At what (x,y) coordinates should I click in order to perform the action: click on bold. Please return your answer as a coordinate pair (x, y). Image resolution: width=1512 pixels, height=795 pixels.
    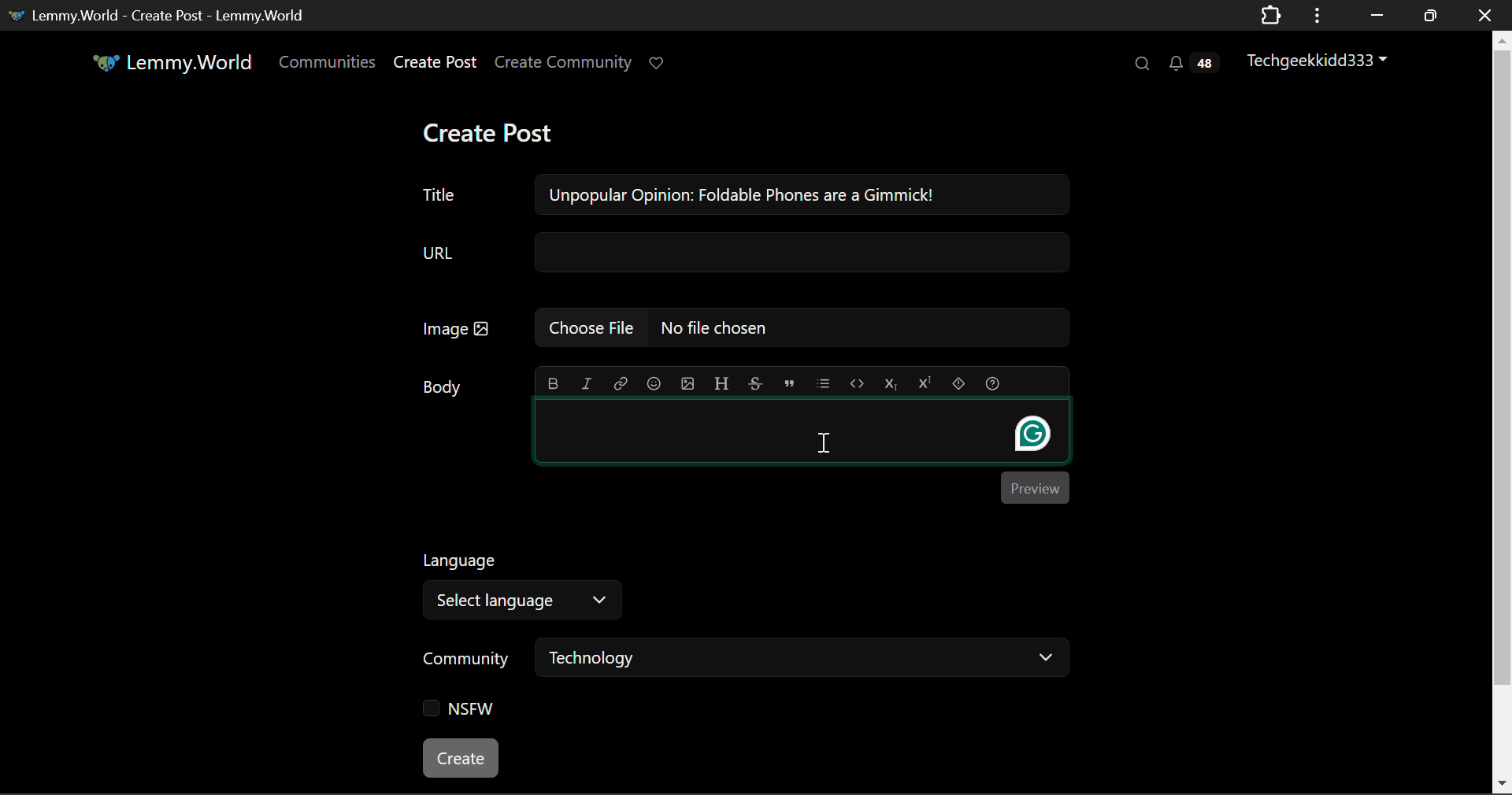
    Looking at the image, I should click on (554, 380).